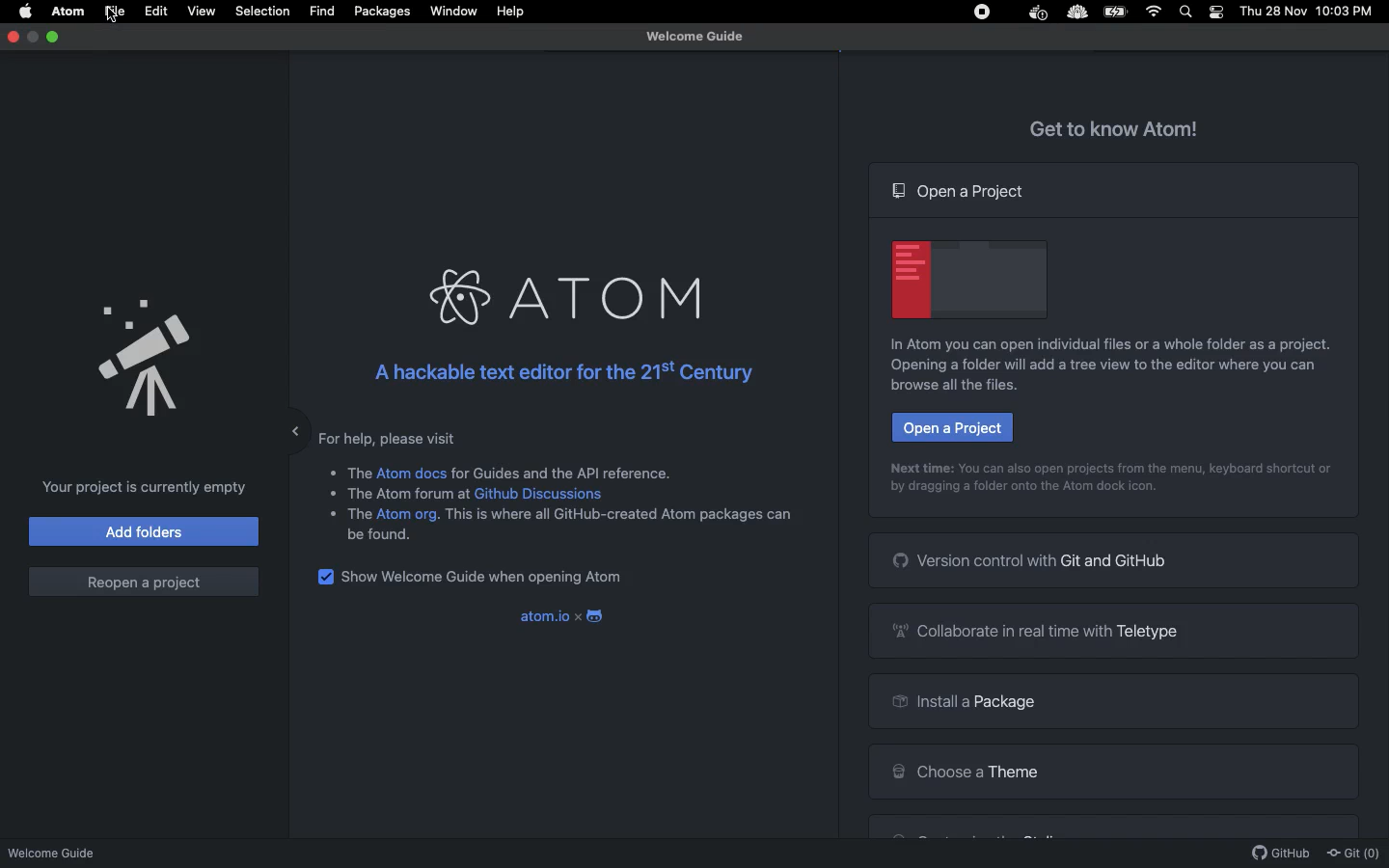 The width and height of the screenshot is (1389, 868). Describe the element at coordinates (1022, 492) in the screenshot. I see `Instructional text` at that location.